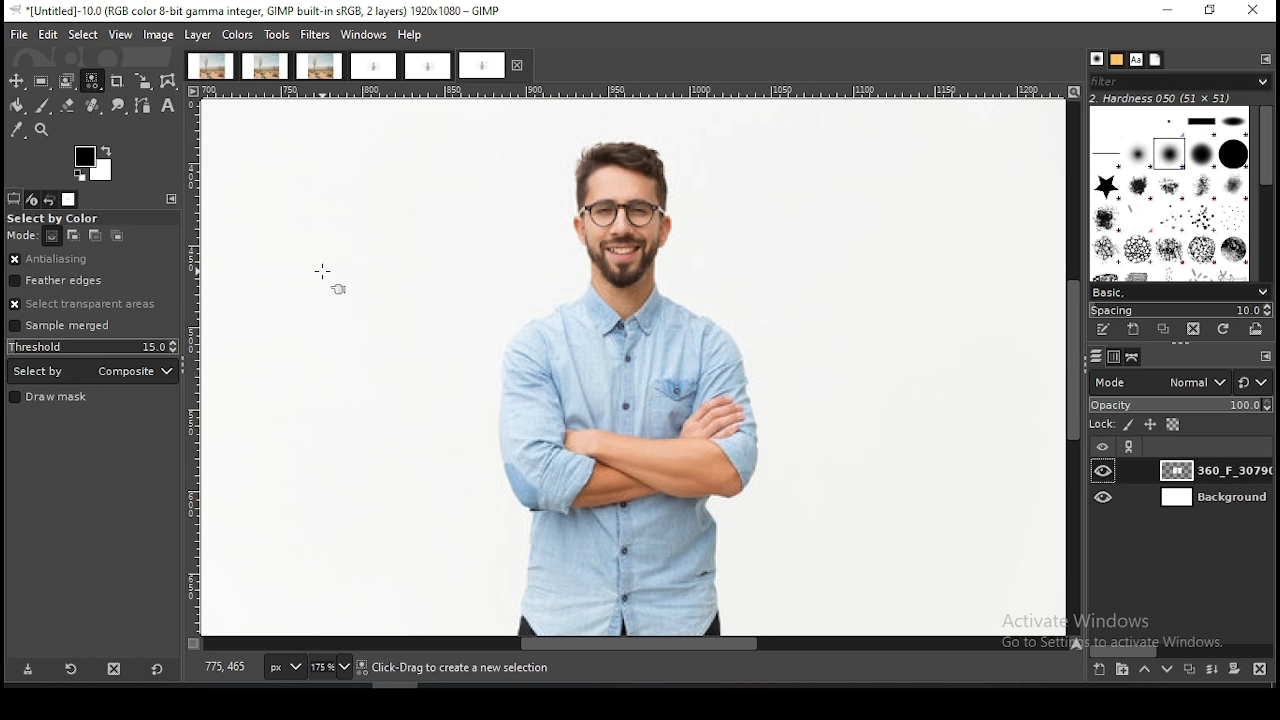  What do you see at coordinates (1180, 406) in the screenshot?
I see `opacity` at bounding box center [1180, 406].